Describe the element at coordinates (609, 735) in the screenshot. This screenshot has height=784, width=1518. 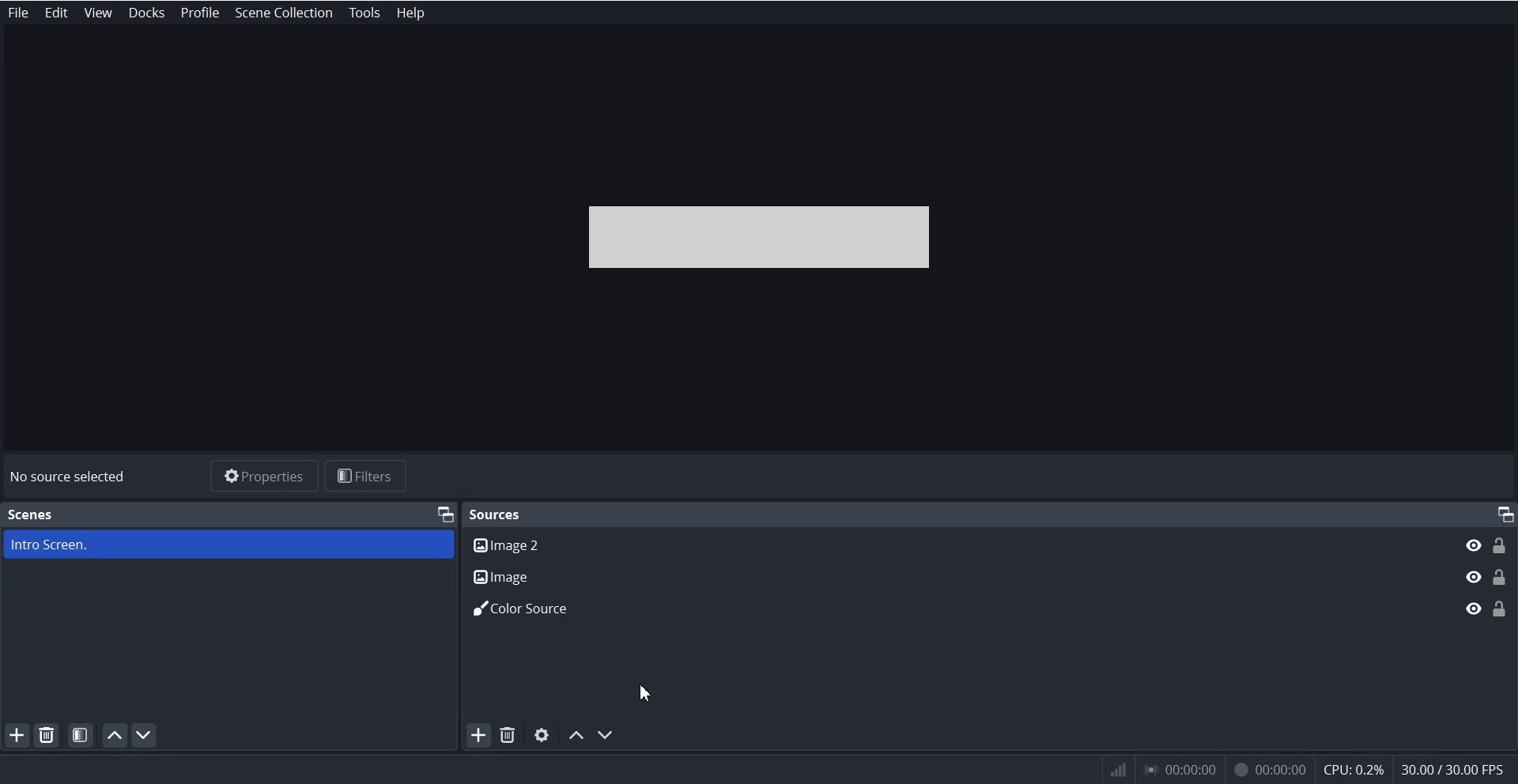
I see `Move Scene down` at that location.